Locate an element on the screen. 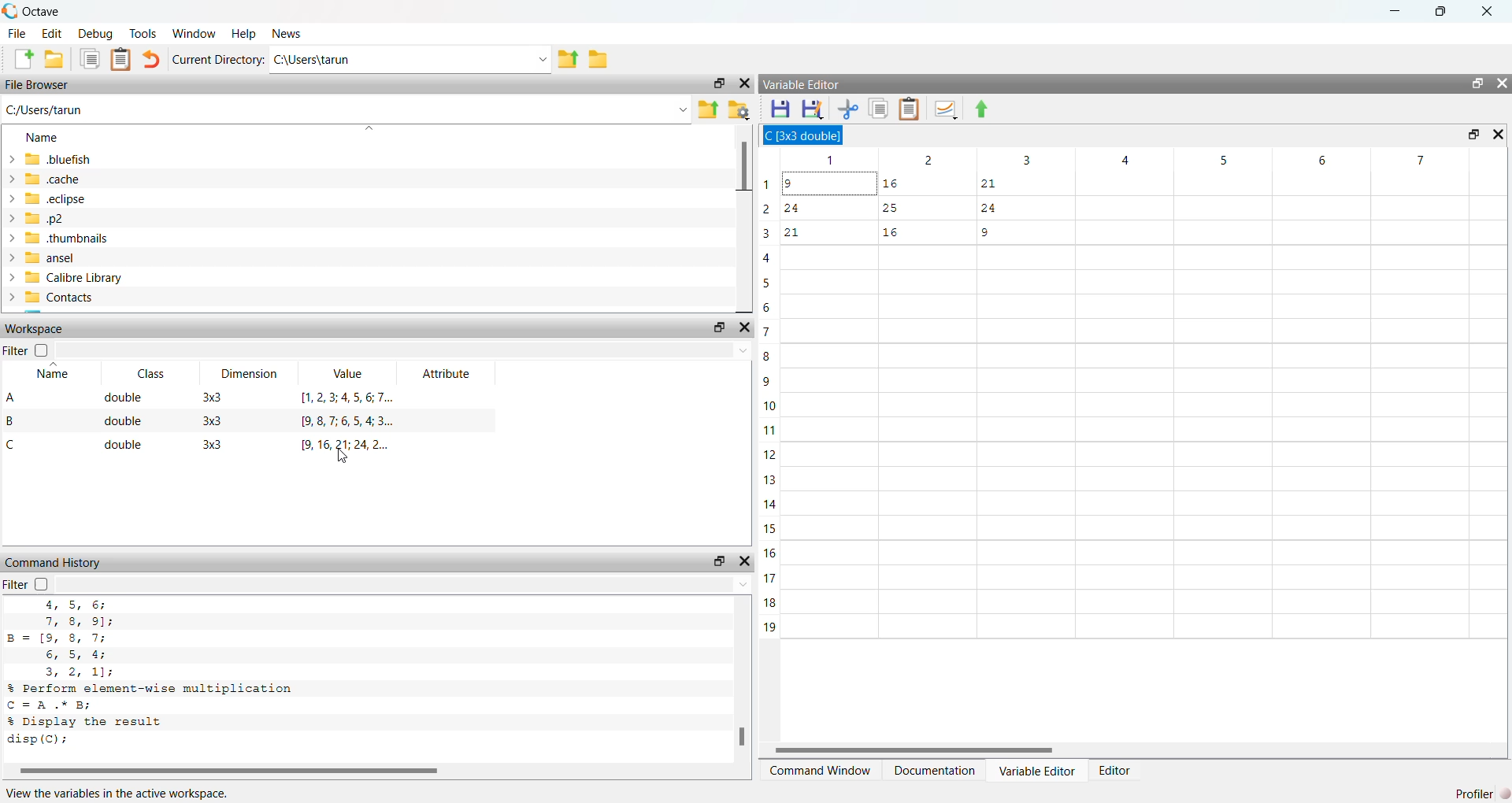  Clipboard is located at coordinates (910, 109).